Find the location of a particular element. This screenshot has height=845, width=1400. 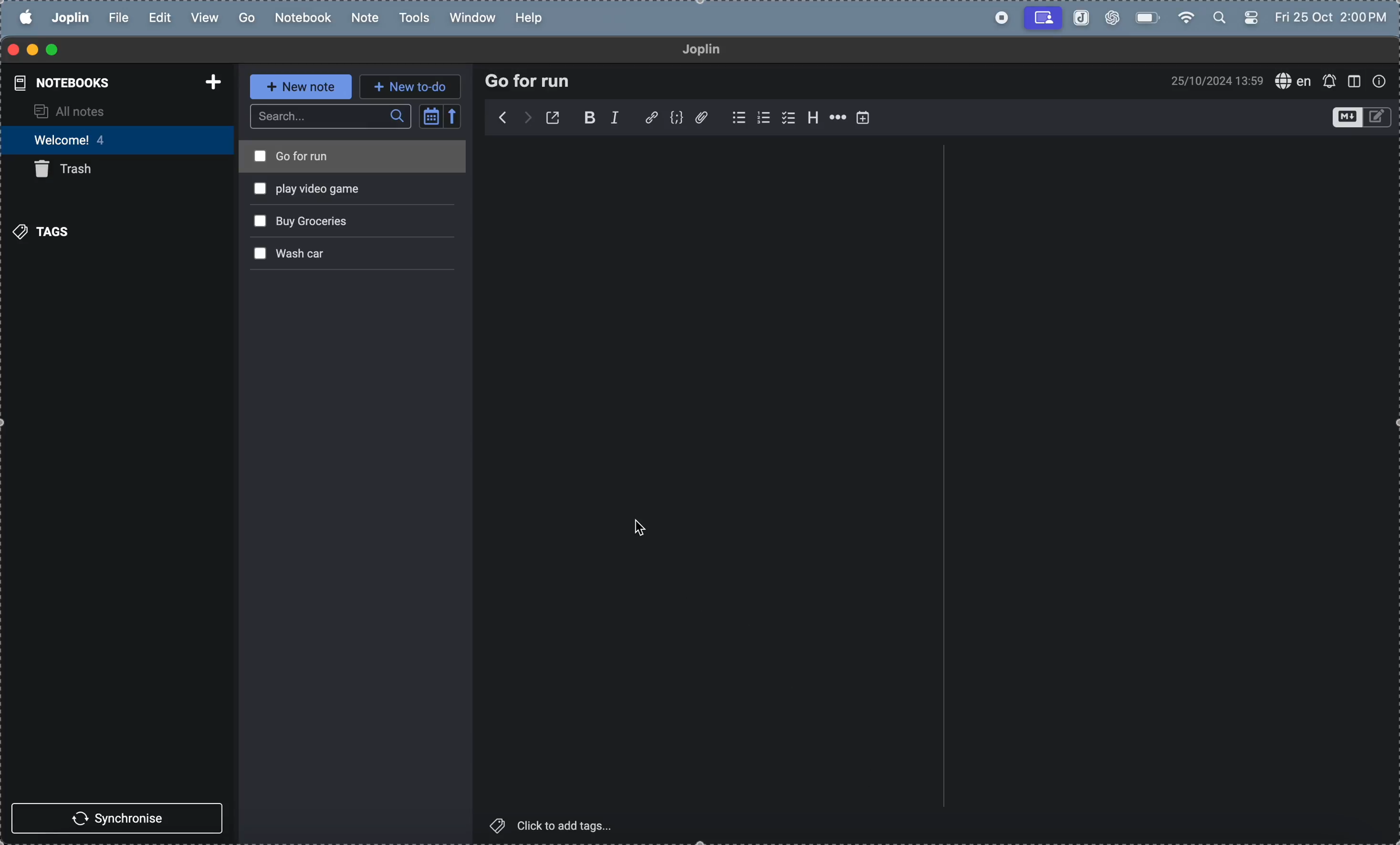

recorder is located at coordinates (1041, 17).